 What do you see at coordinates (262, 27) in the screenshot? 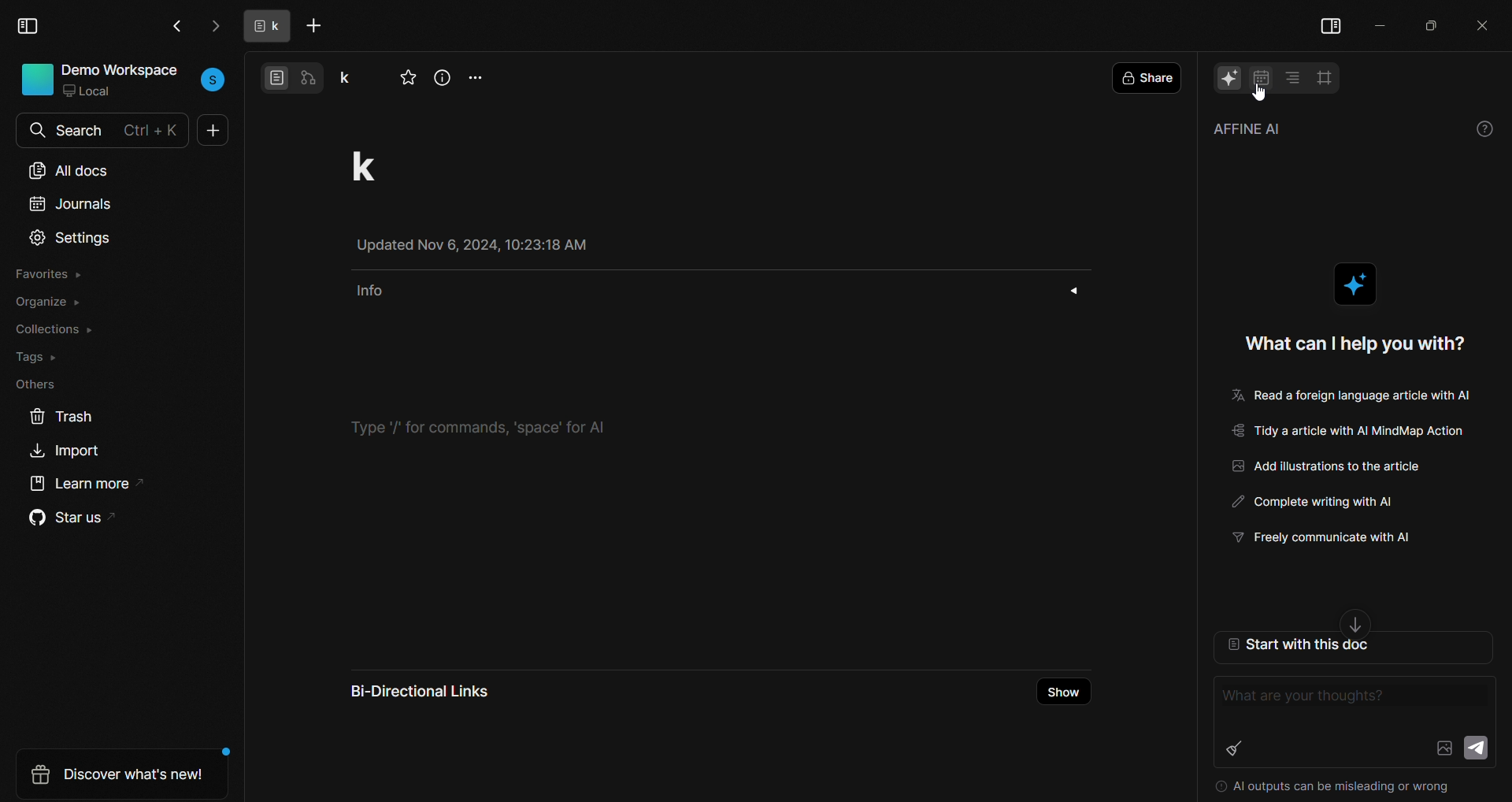
I see `tab name` at bounding box center [262, 27].